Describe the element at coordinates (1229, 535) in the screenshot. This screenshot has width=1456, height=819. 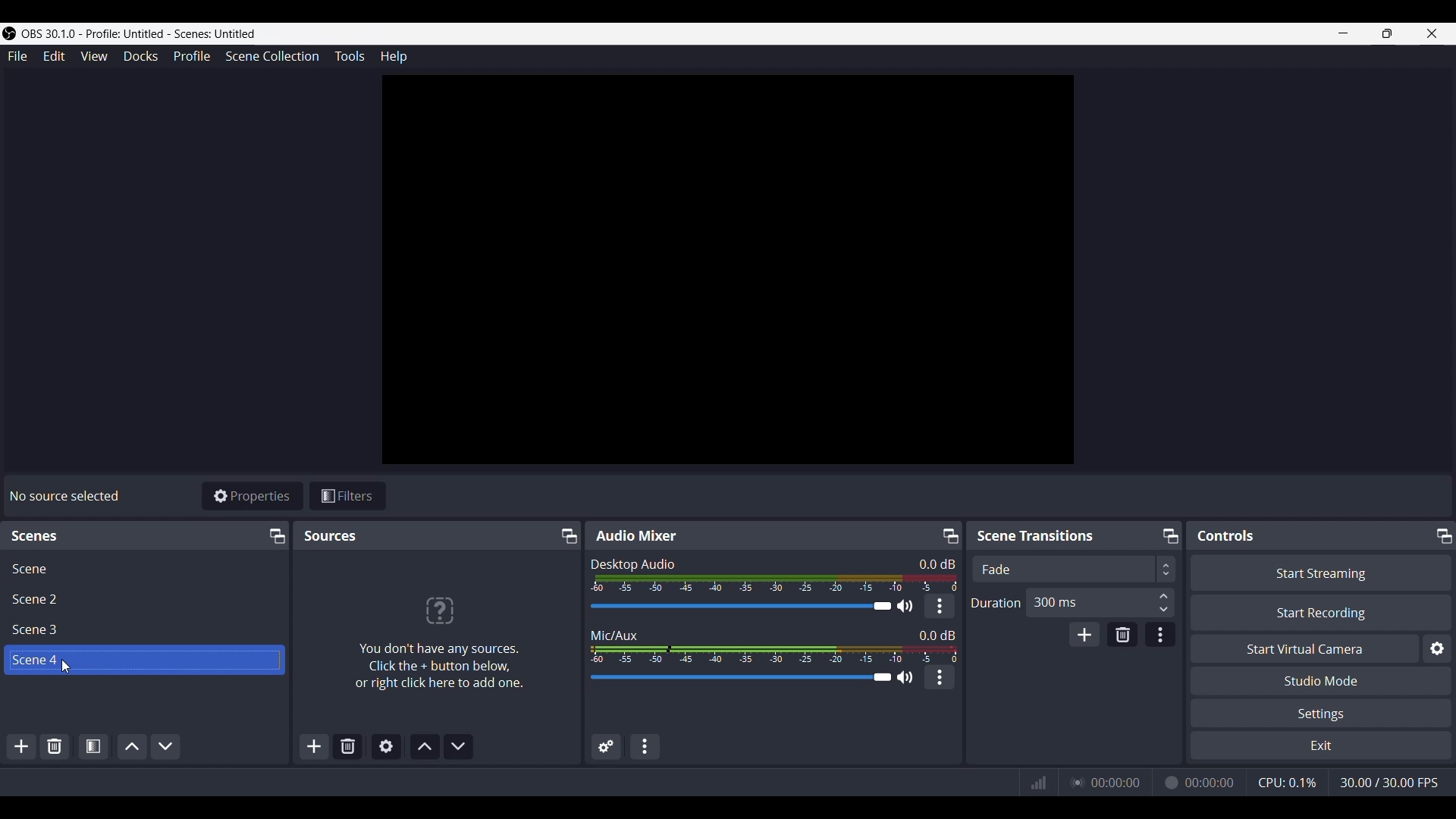
I see `Controls` at that location.